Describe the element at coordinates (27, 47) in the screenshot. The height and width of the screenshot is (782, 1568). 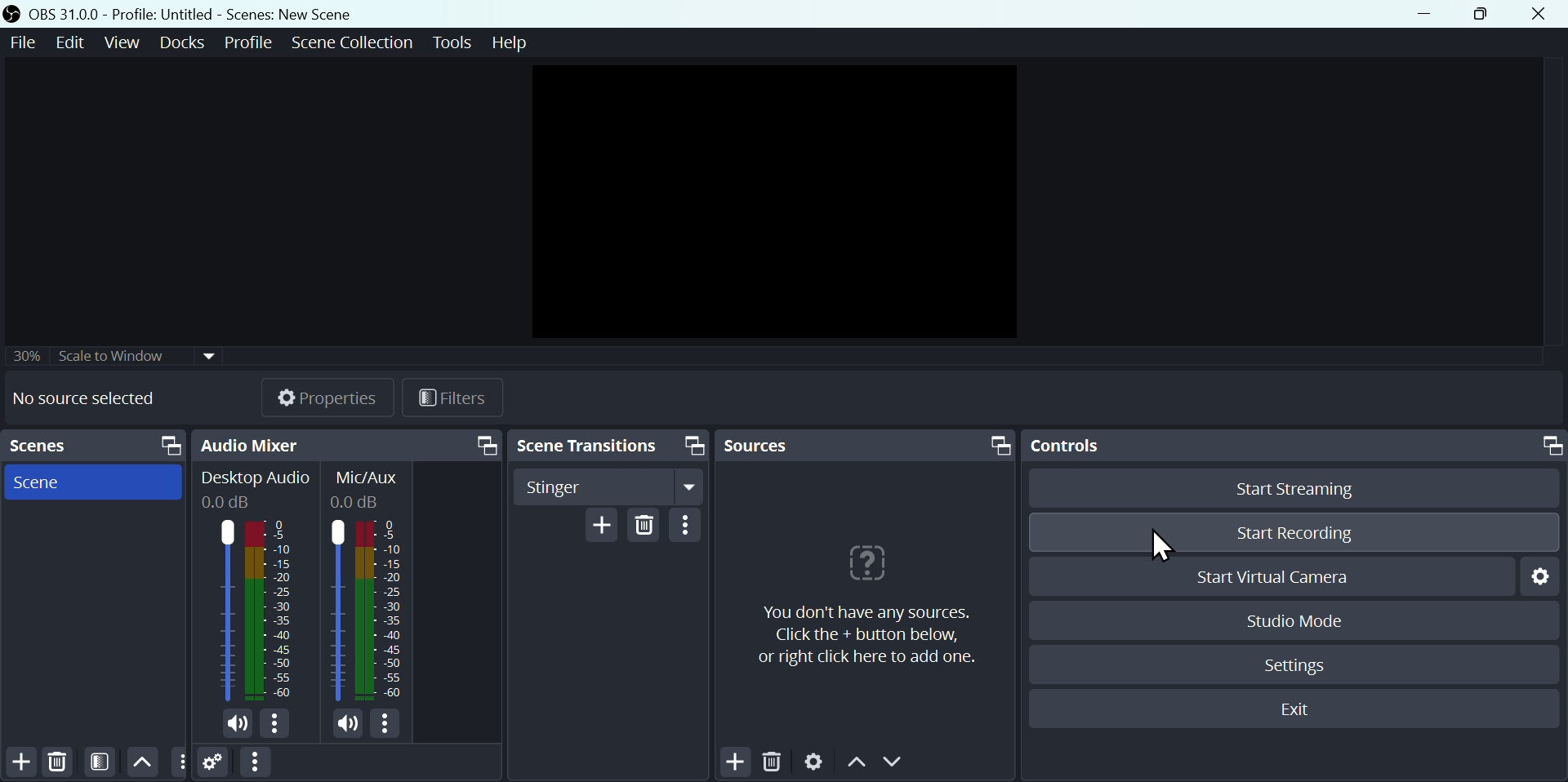
I see `File` at that location.